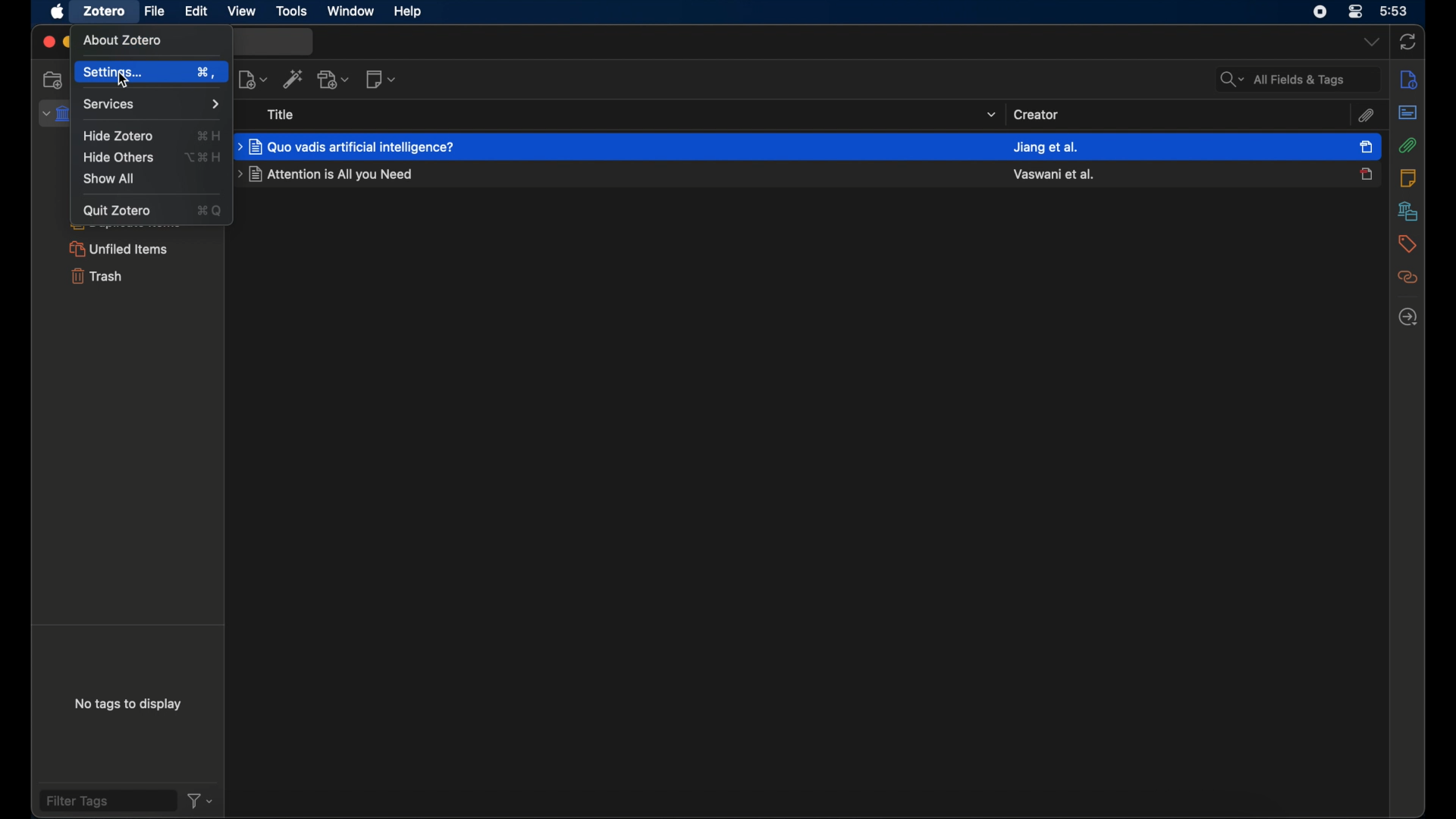 The height and width of the screenshot is (819, 1456). I want to click on view, so click(243, 11).